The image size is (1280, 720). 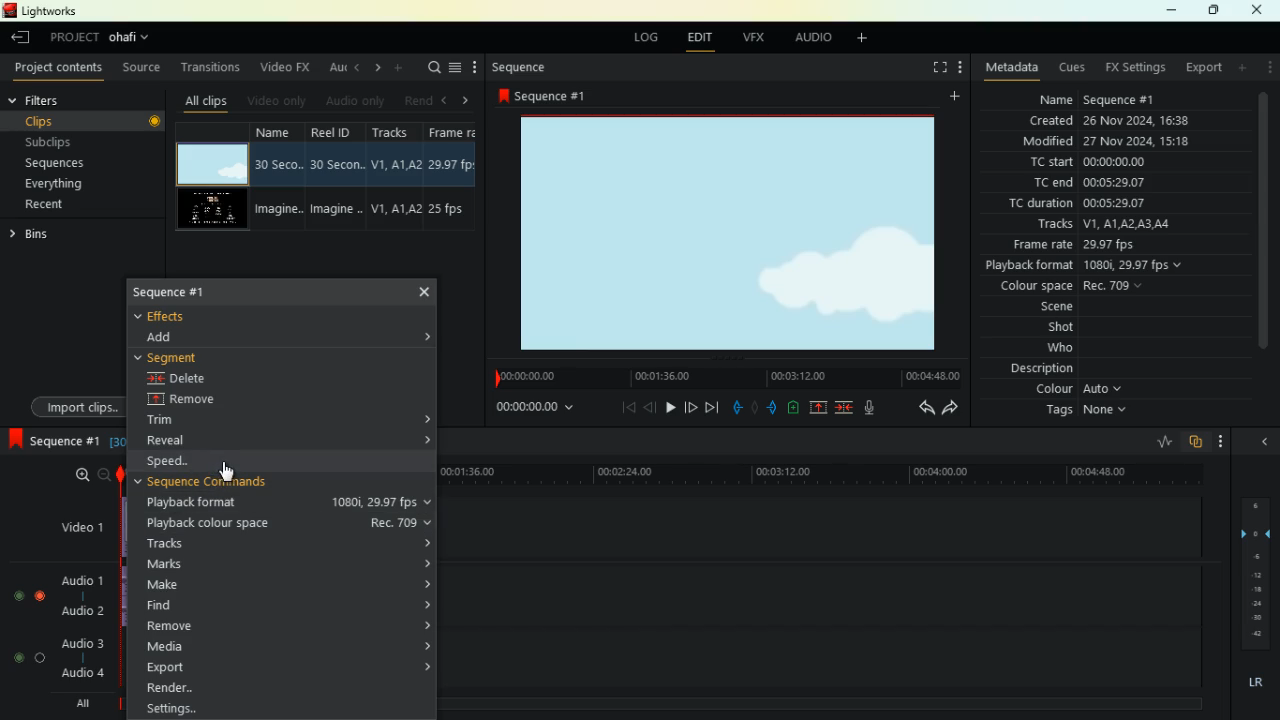 What do you see at coordinates (61, 184) in the screenshot?
I see `everything` at bounding box center [61, 184].